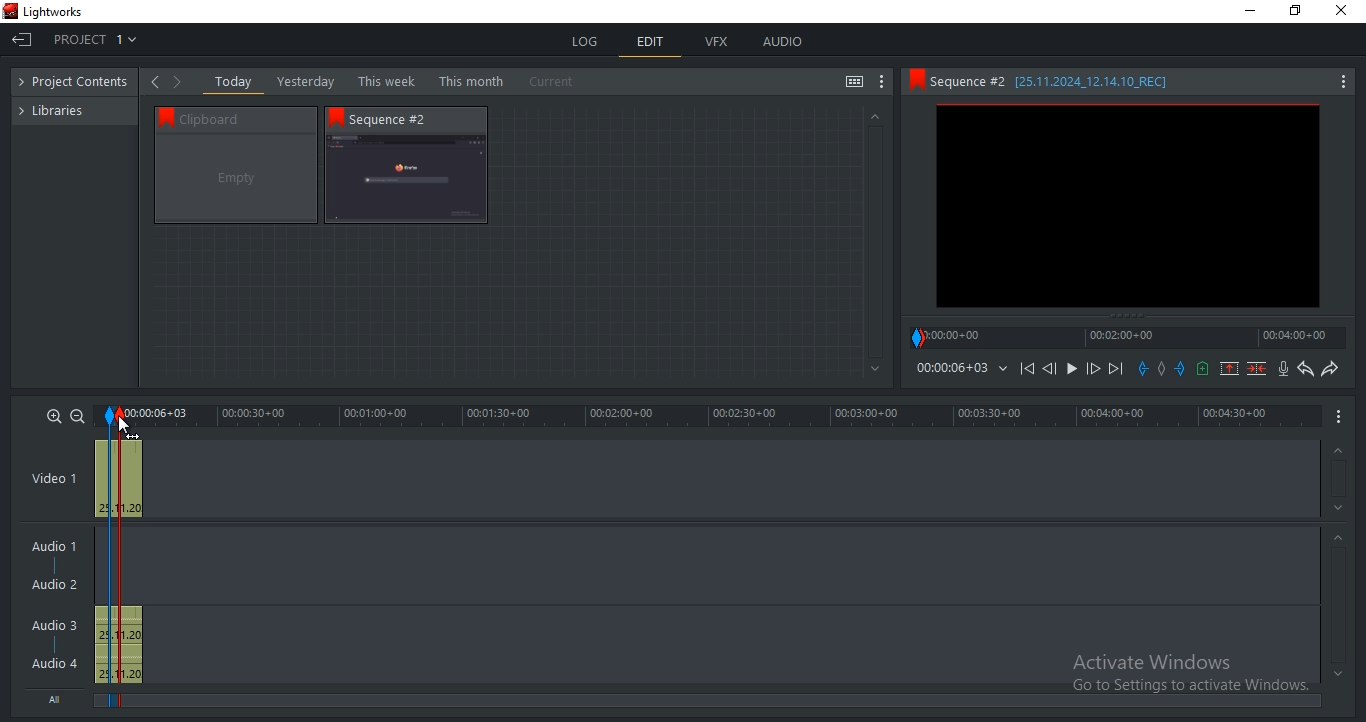 Image resolution: width=1366 pixels, height=722 pixels. Describe the element at coordinates (118, 645) in the screenshot. I see `audio` at that location.